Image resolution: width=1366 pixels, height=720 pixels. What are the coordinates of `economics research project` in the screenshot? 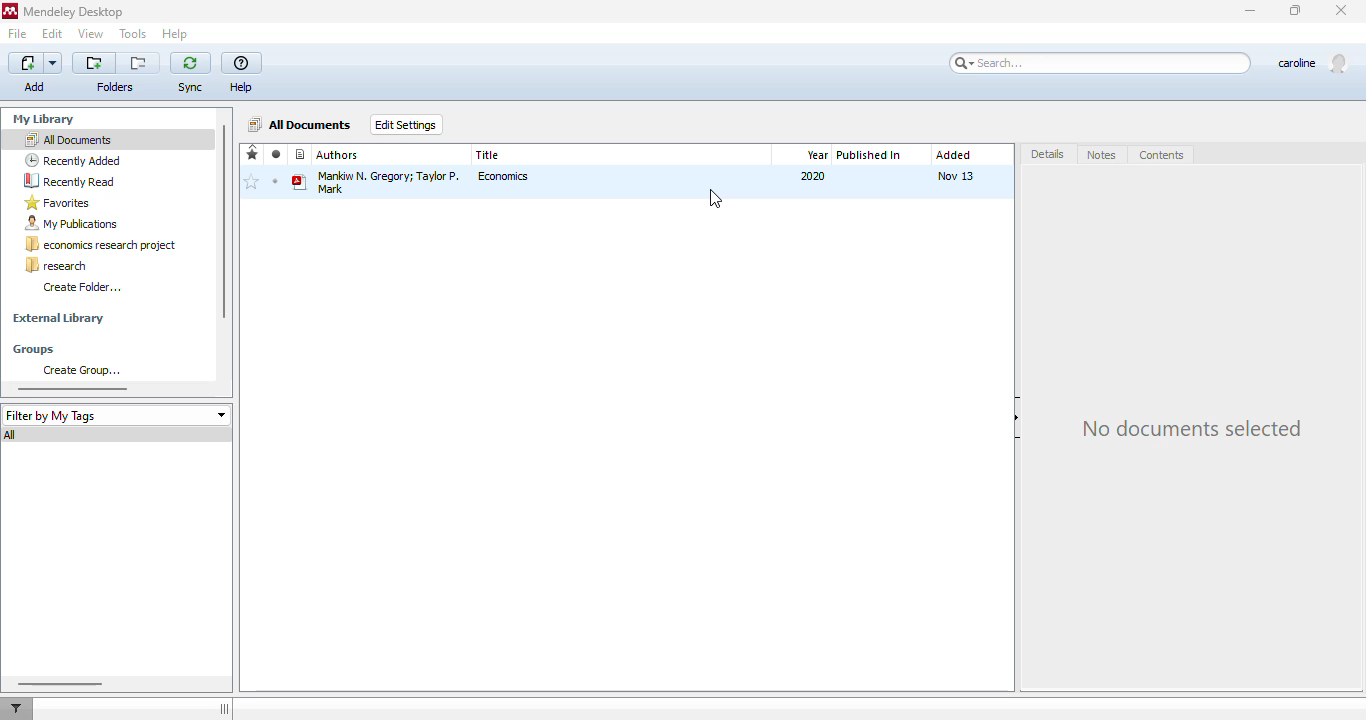 It's located at (102, 245).